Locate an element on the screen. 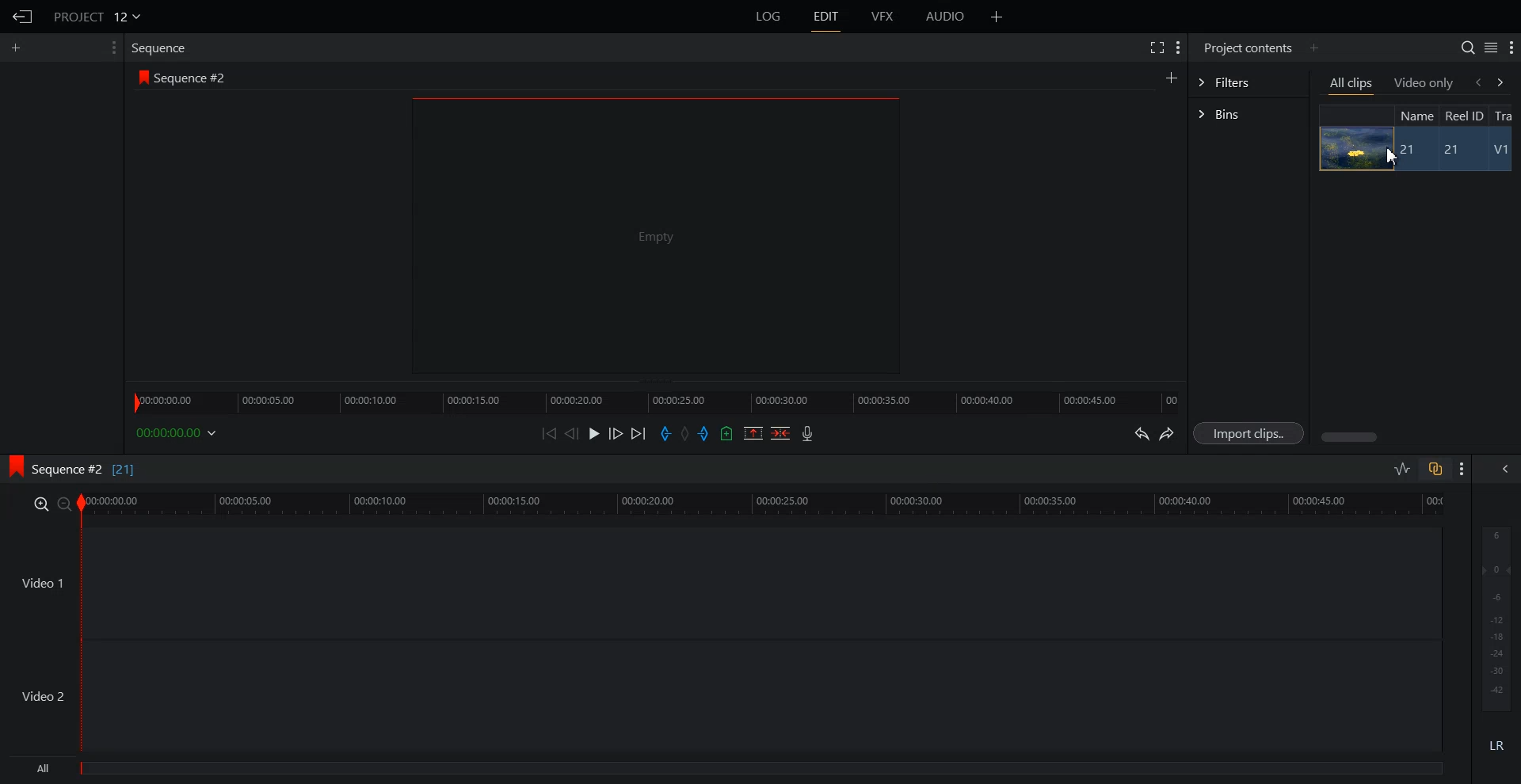  Add an in Mark in current position is located at coordinates (664, 434).